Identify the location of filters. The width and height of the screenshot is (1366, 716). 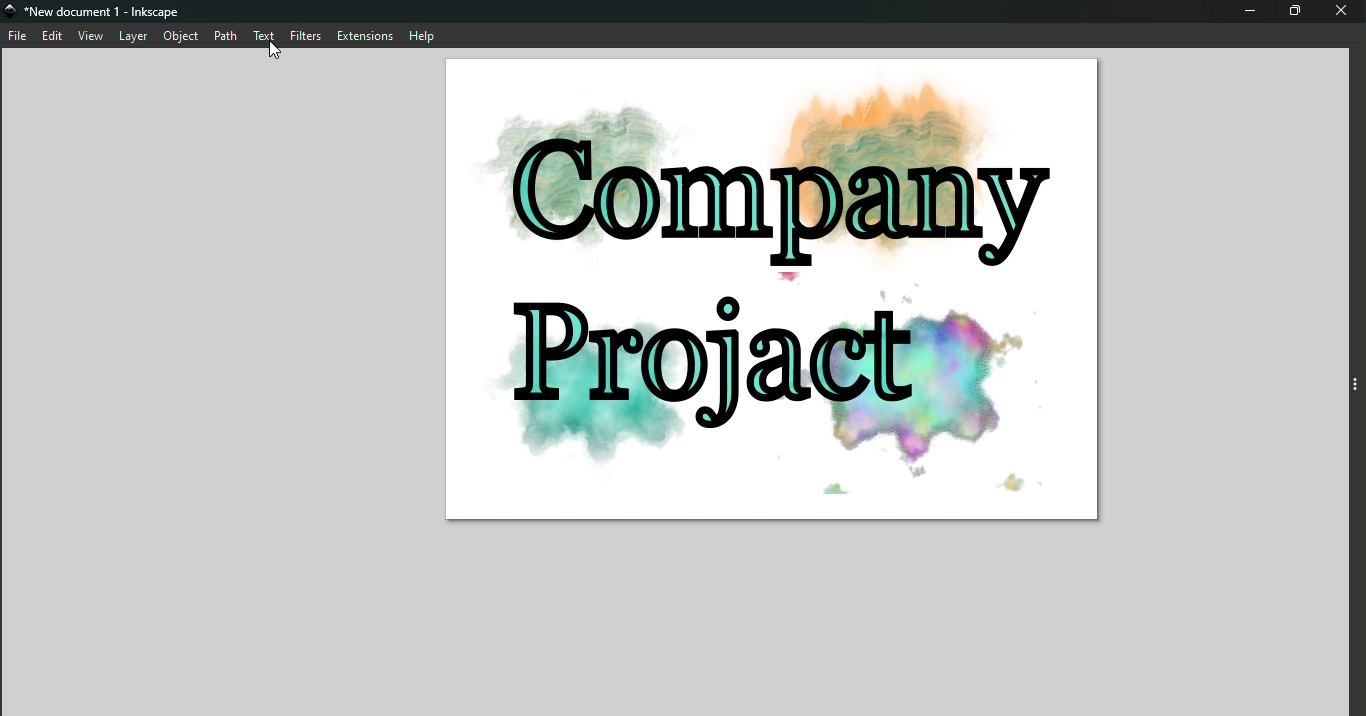
(306, 36).